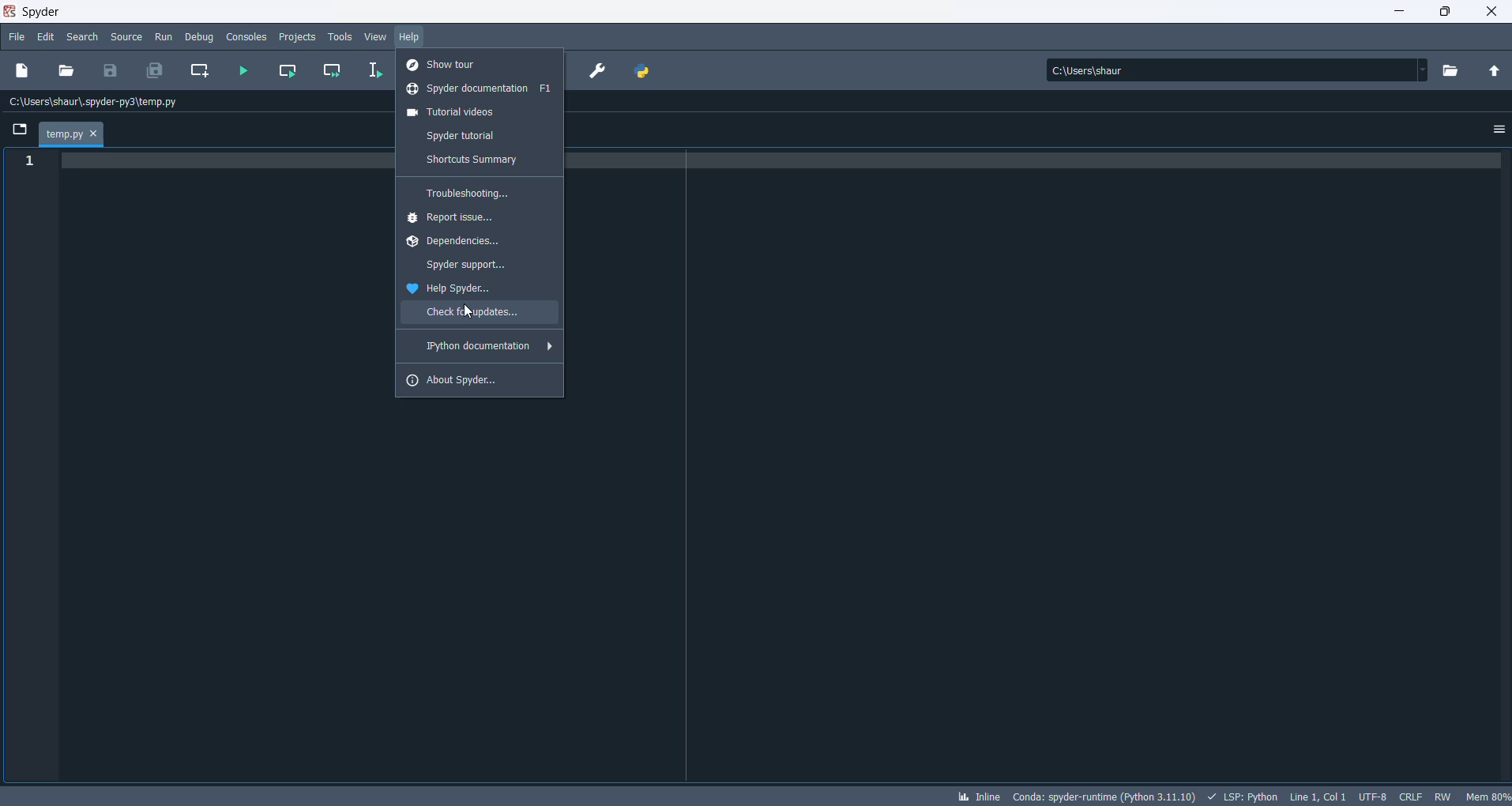 This screenshot has width=1512, height=806. What do you see at coordinates (477, 347) in the screenshot?
I see `python documentation` at bounding box center [477, 347].